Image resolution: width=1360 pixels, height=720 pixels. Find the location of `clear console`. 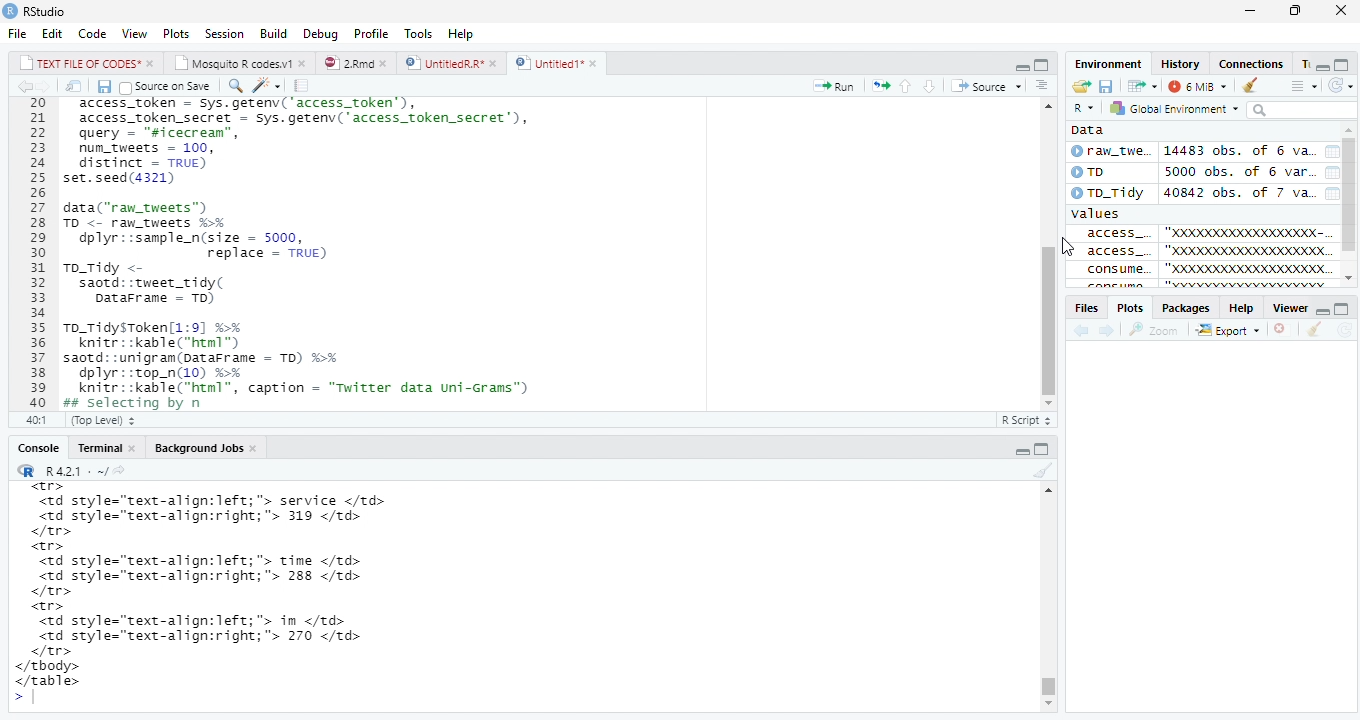

clear console is located at coordinates (1039, 471).